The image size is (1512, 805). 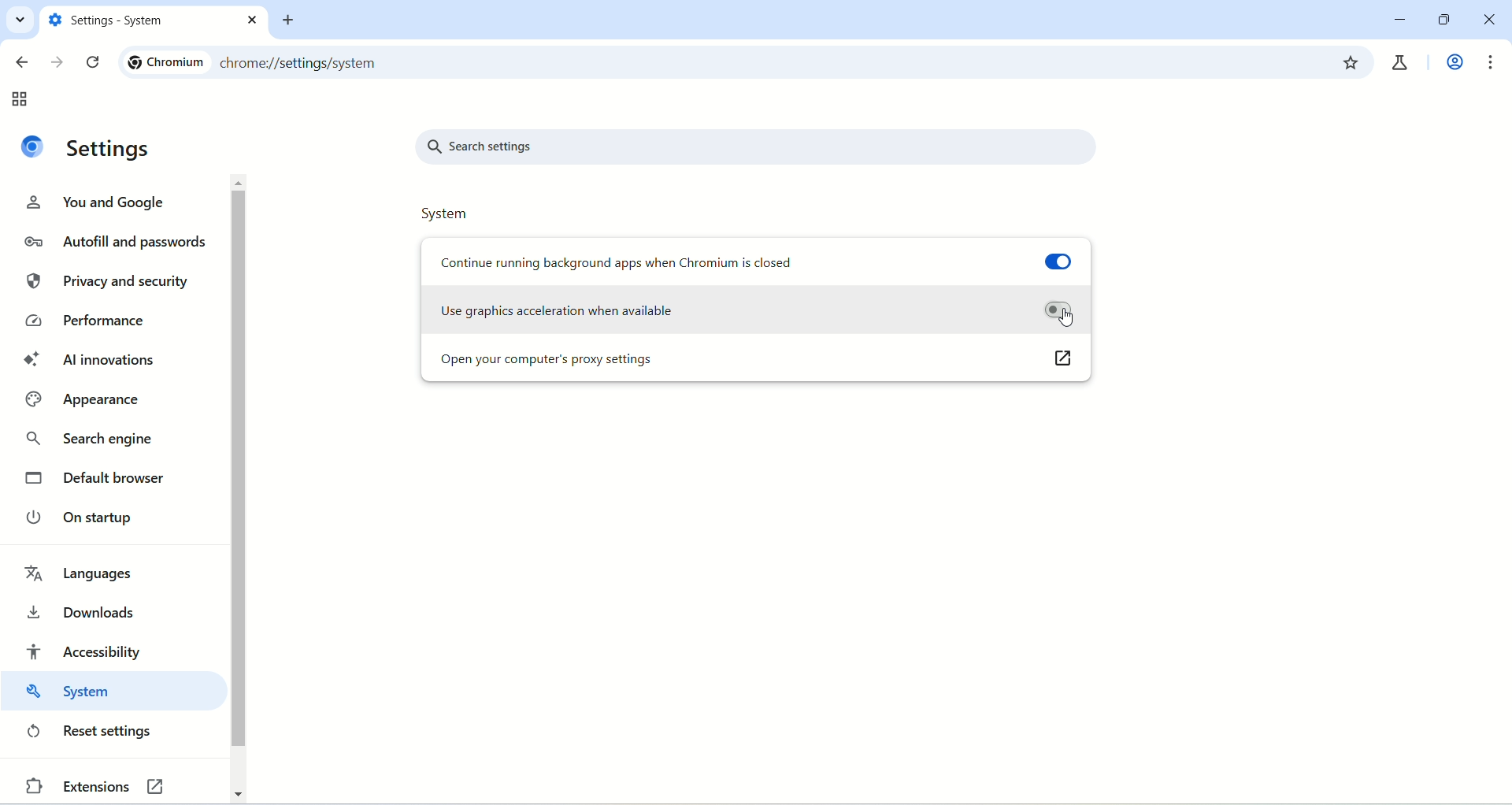 I want to click on move up, so click(x=240, y=183).